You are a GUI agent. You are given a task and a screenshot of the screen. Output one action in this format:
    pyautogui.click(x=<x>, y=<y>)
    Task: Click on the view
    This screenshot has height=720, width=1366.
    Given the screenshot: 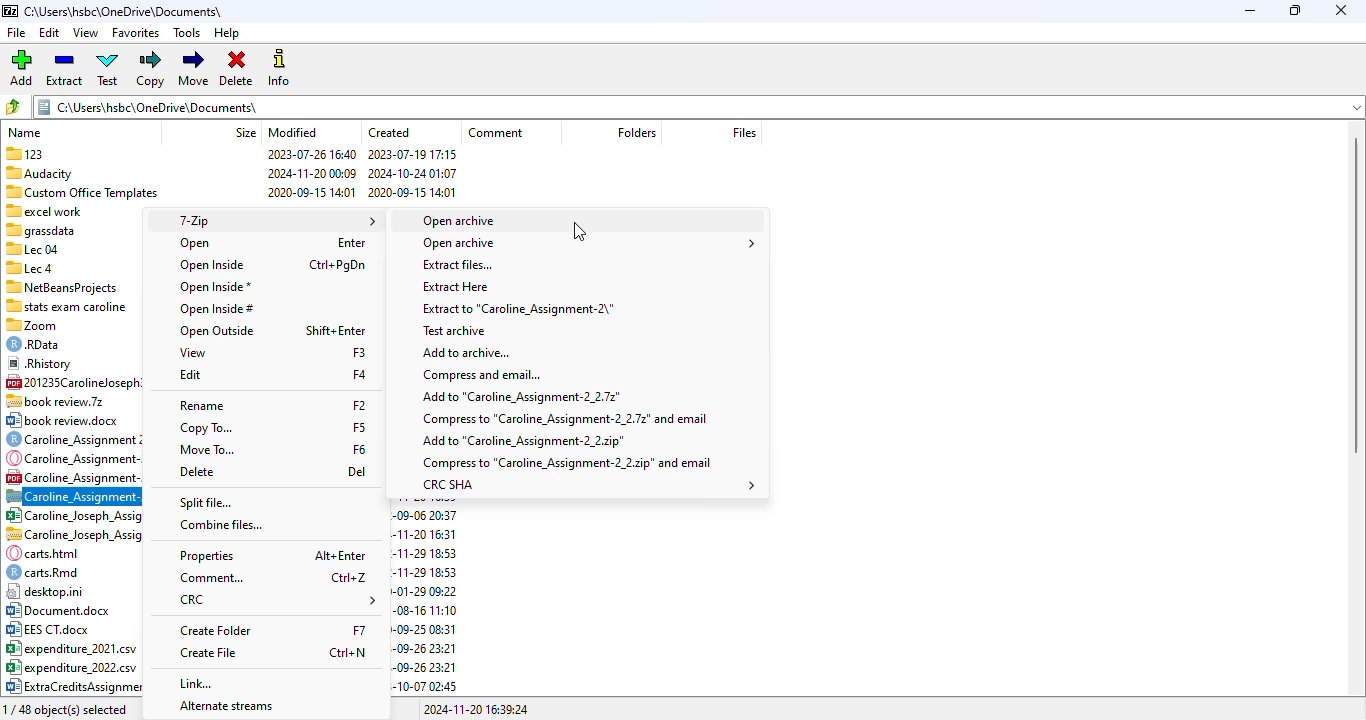 What is the action you would take?
    pyautogui.click(x=193, y=353)
    